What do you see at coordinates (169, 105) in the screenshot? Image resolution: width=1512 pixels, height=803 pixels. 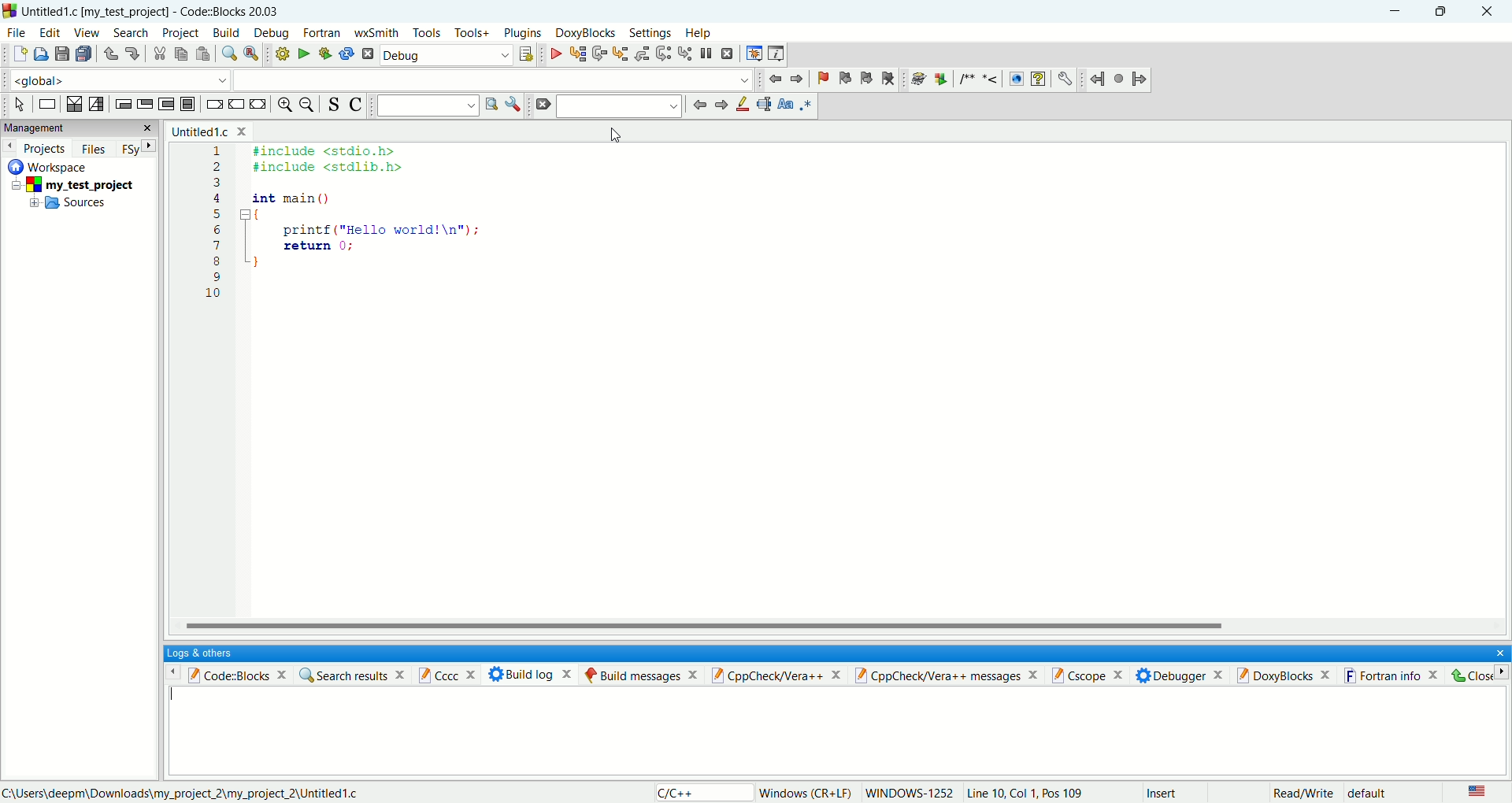 I see `counting loop` at bounding box center [169, 105].